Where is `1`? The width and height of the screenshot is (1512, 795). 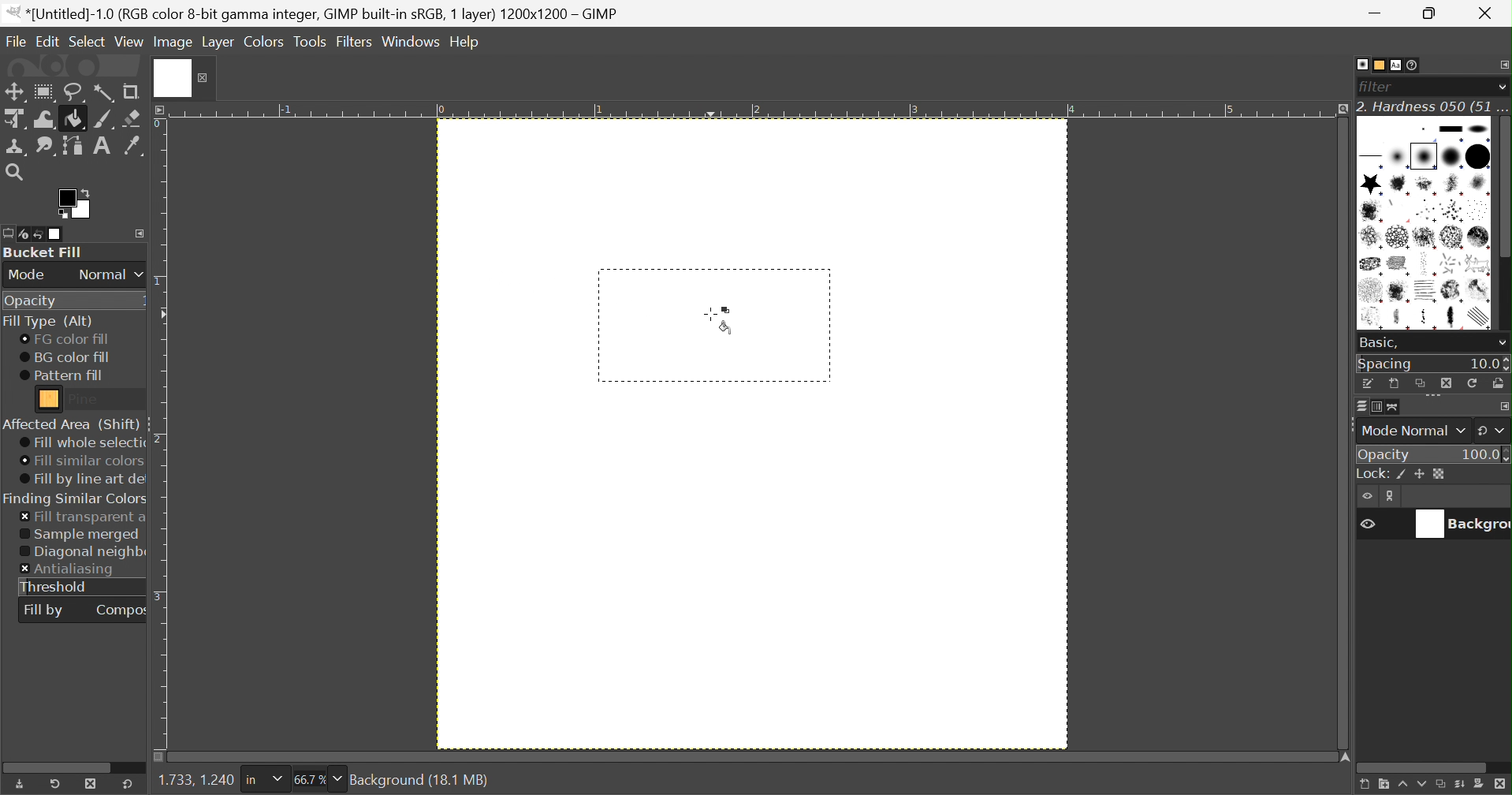 1 is located at coordinates (159, 283).